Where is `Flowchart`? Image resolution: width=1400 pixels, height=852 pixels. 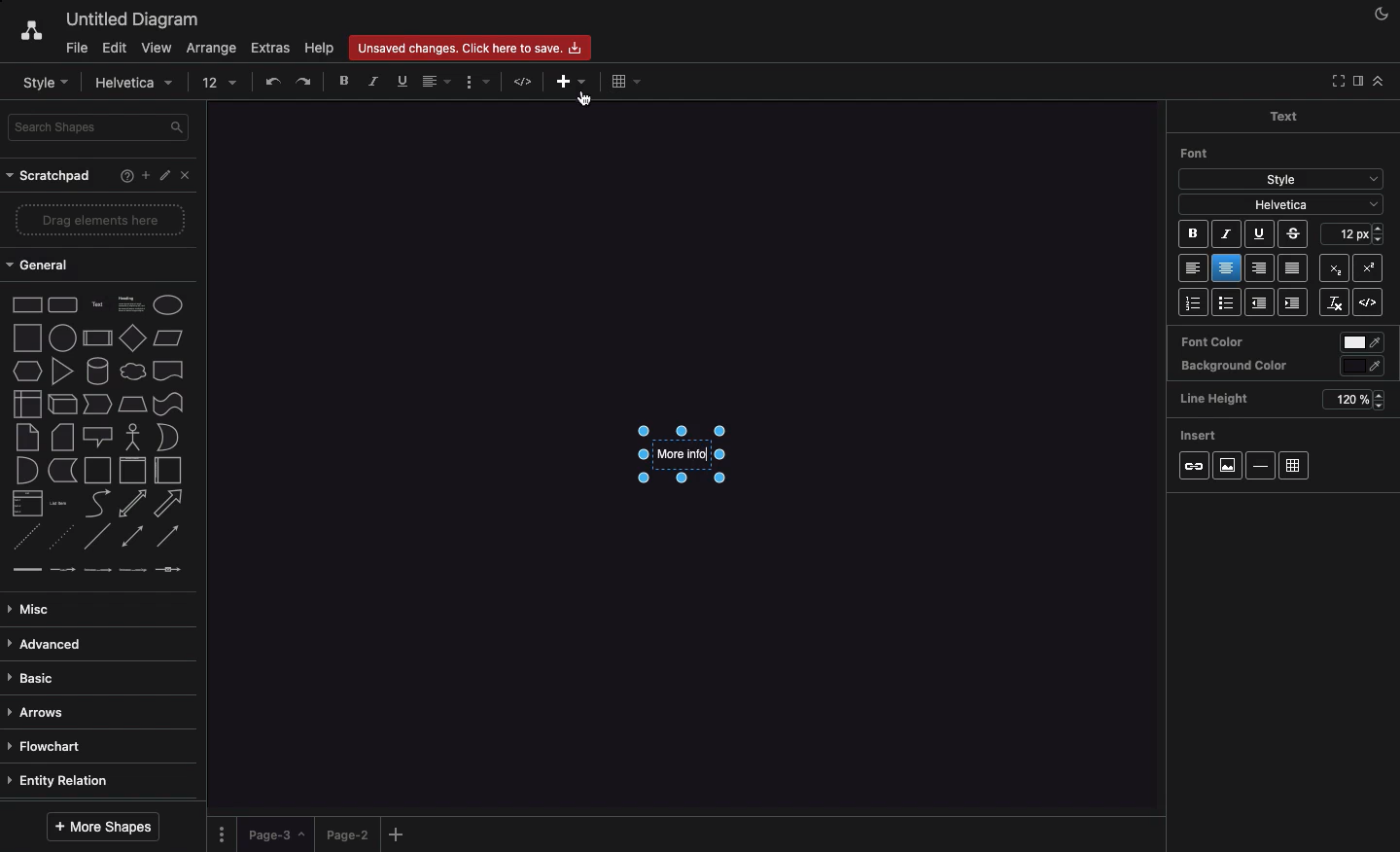
Flowchart is located at coordinates (53, 747).